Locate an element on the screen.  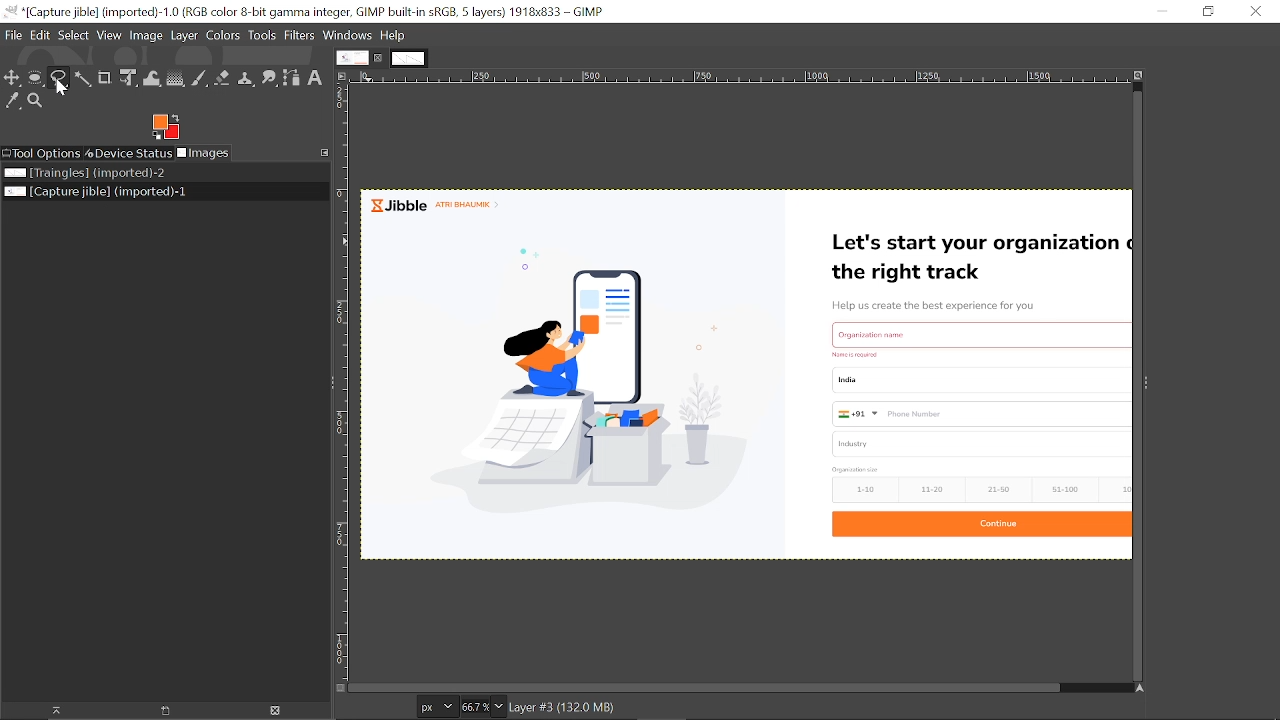
Free select tool is located at coordinates (60, 79).